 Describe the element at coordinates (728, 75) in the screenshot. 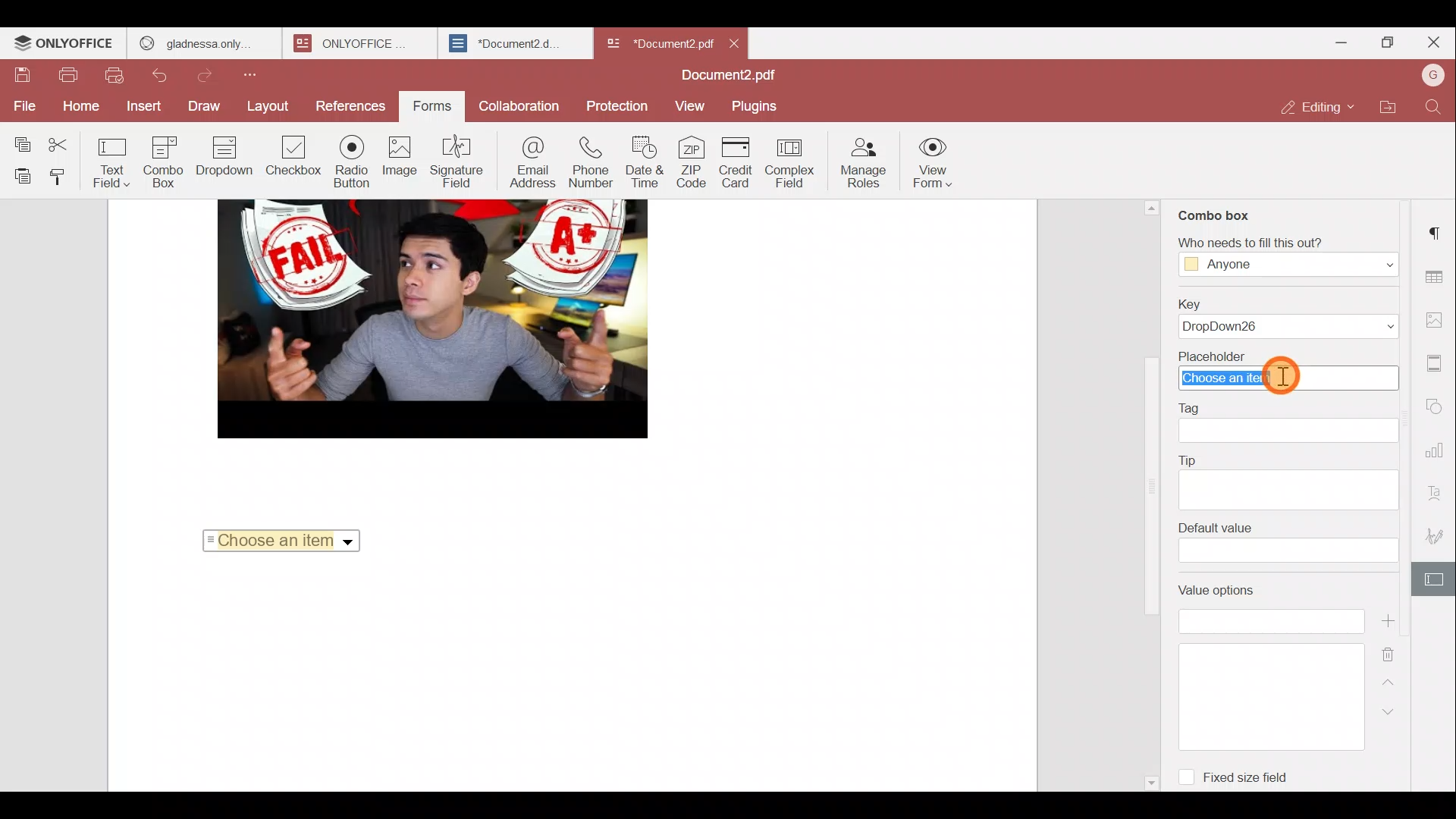

I see `Document2.pdf` at that location.